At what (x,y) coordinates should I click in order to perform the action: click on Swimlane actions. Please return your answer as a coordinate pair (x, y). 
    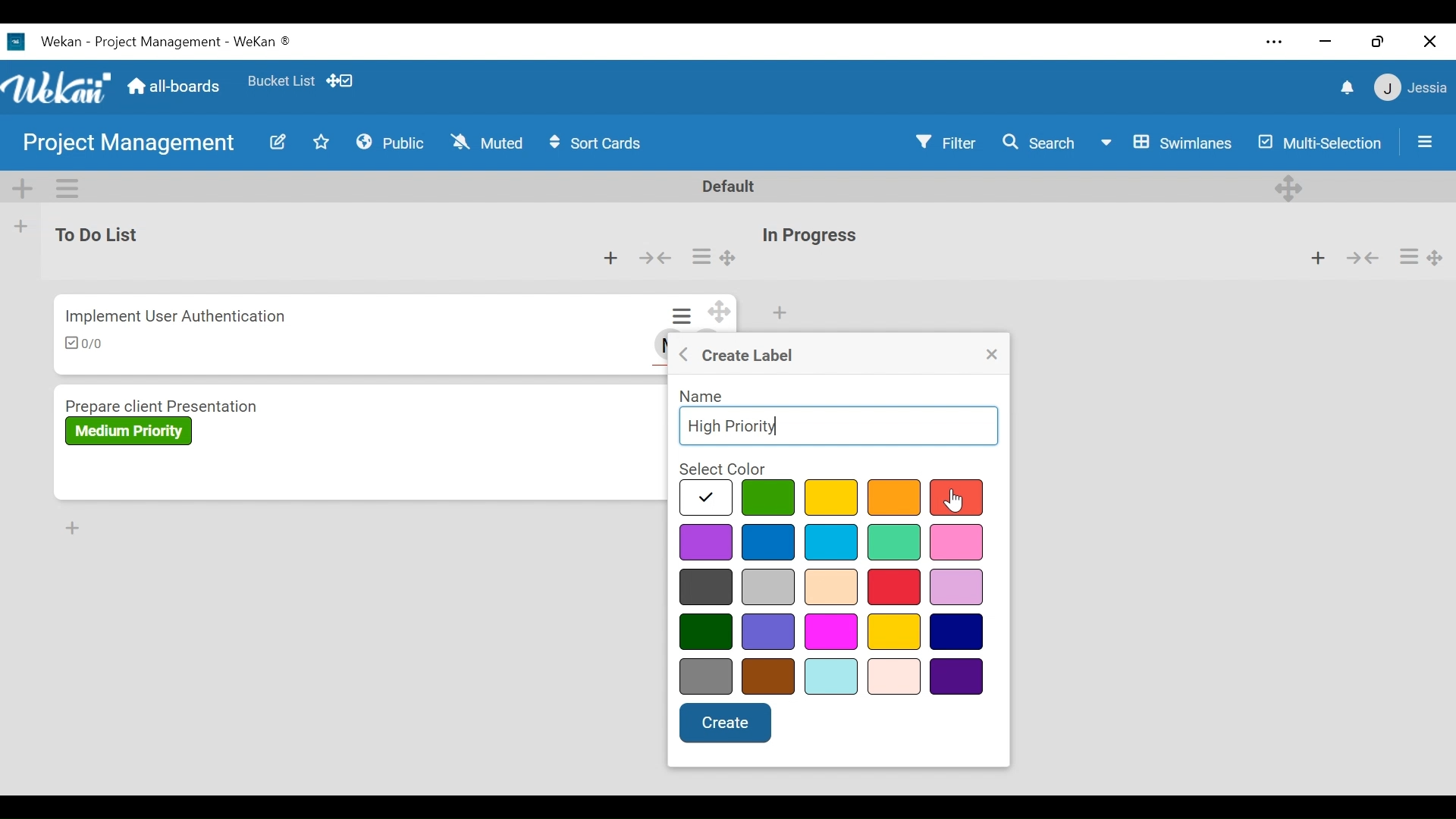
    Looking at the image, I should click on (69, 186).